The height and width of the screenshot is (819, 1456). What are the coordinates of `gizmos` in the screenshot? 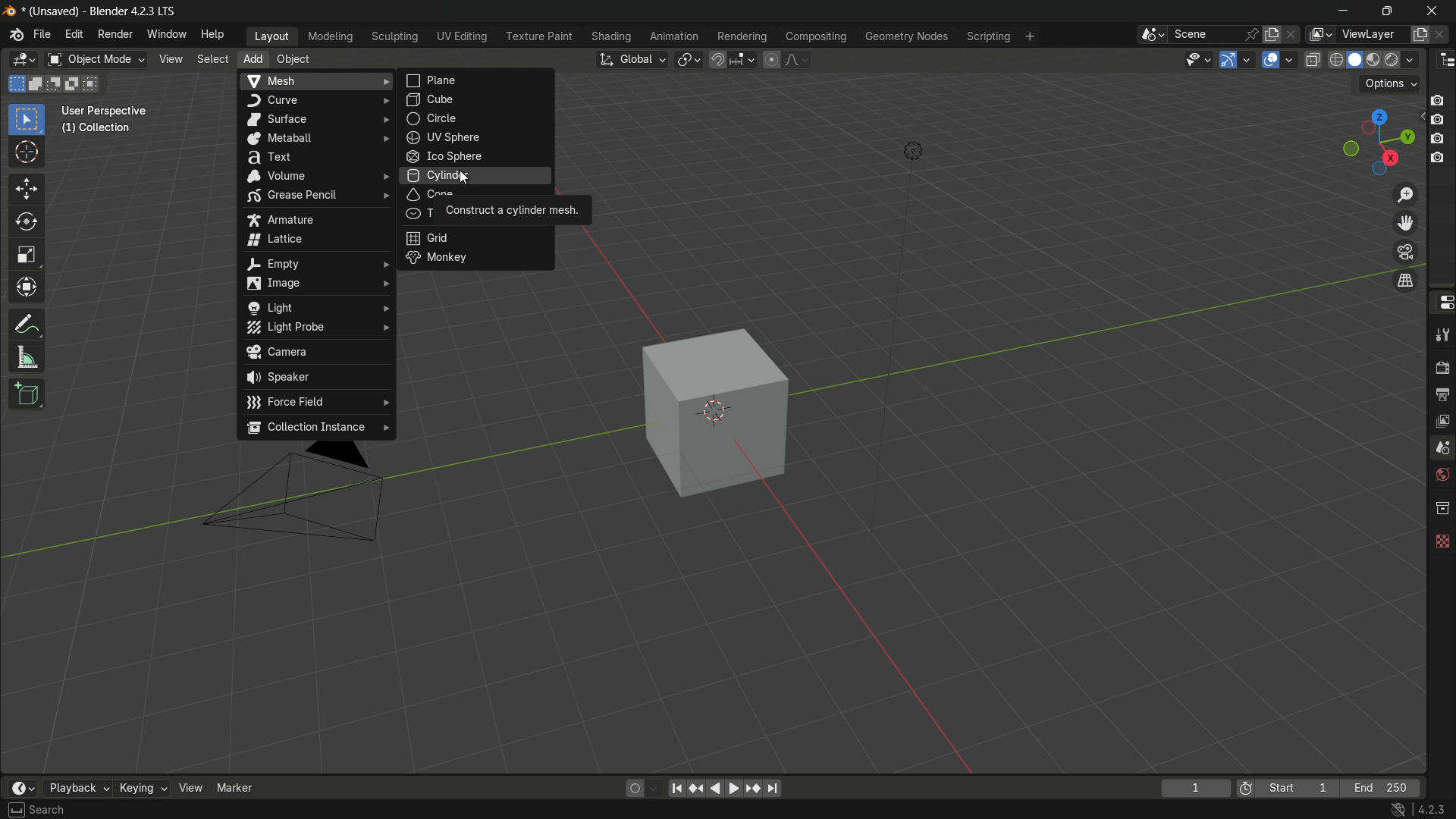 It's located at (1246, 59).